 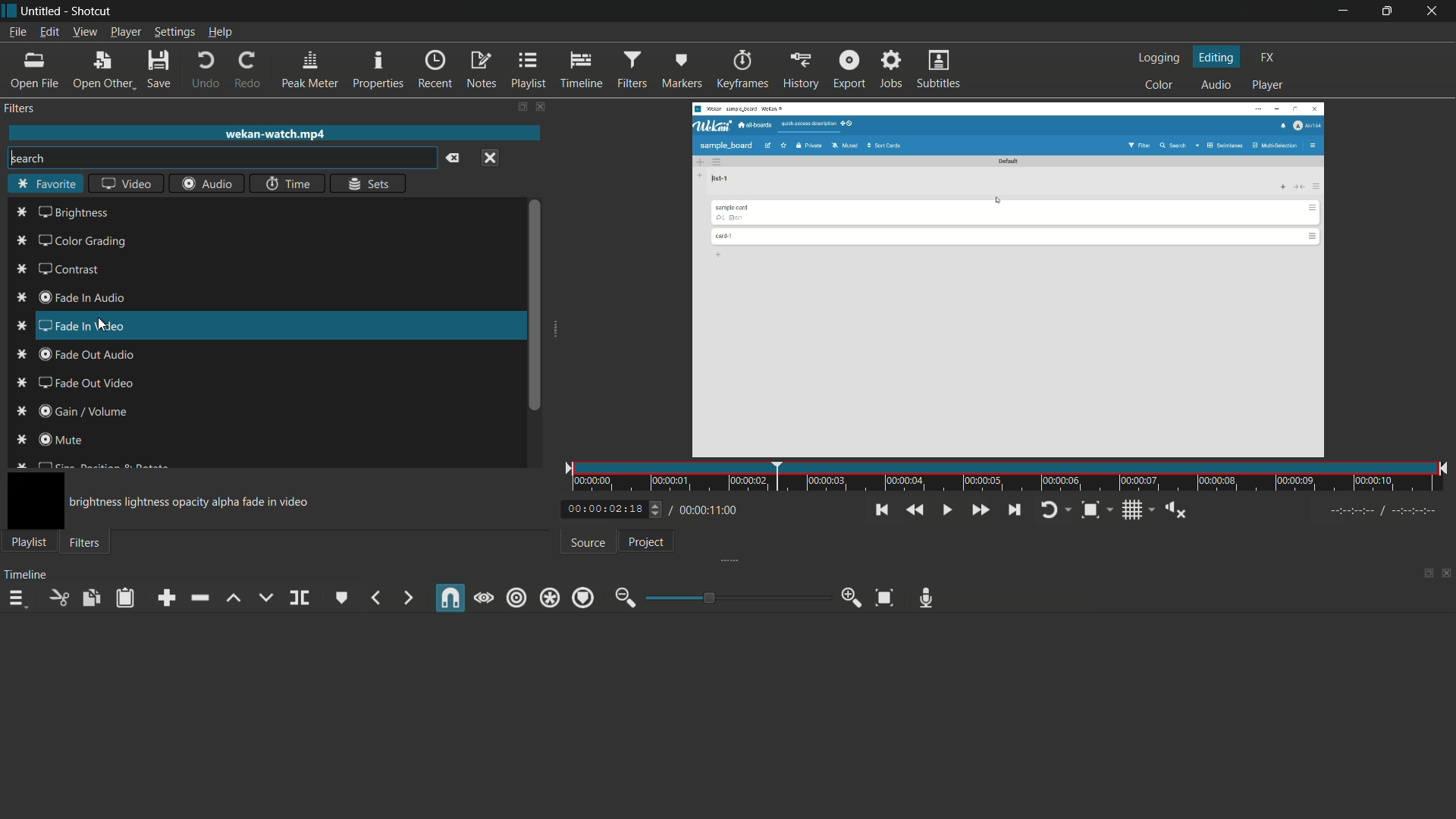 I want to click on quickly play forward, so click(x=980, y=510).